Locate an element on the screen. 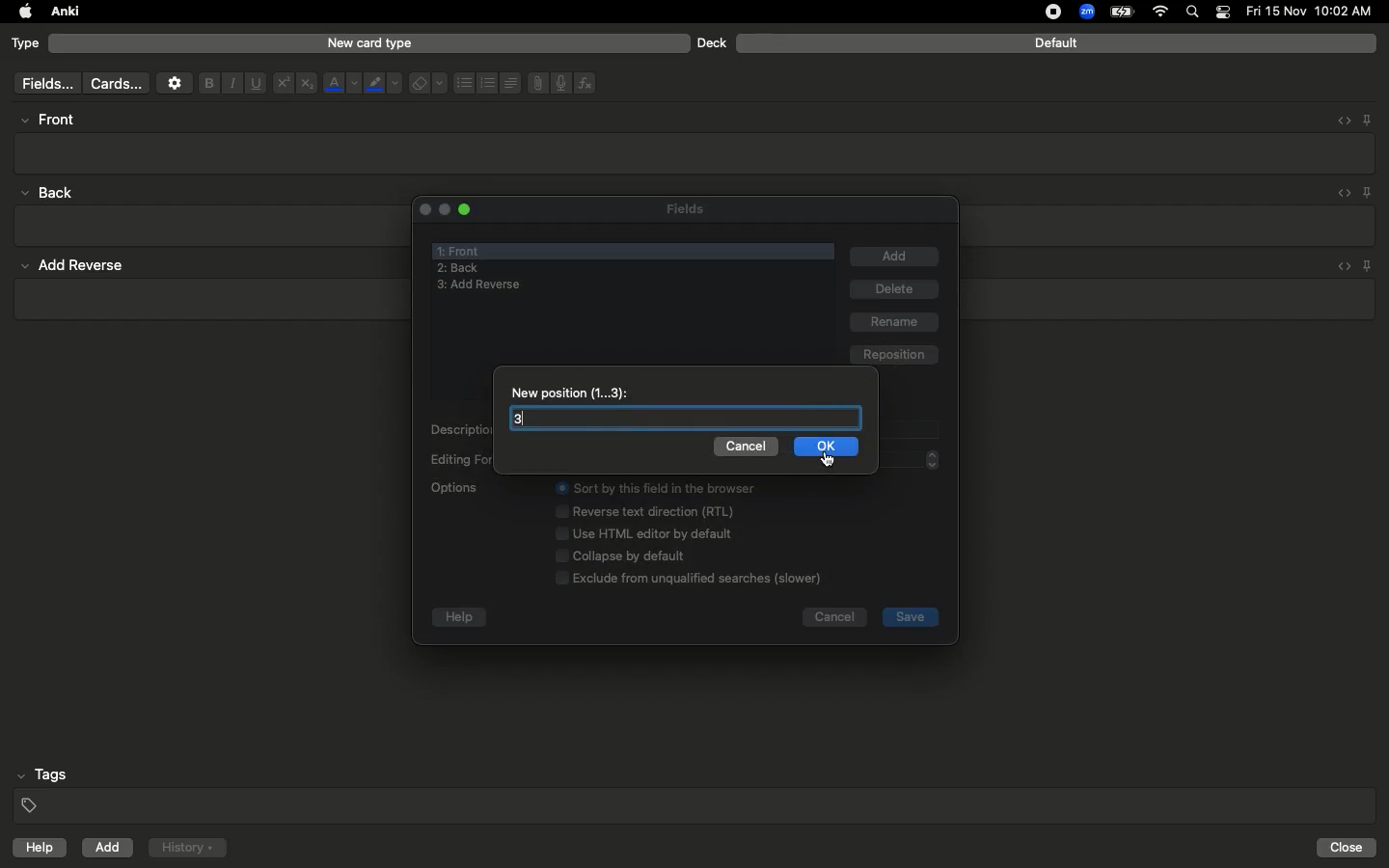  Internet is located at coordinates (1162, 13).